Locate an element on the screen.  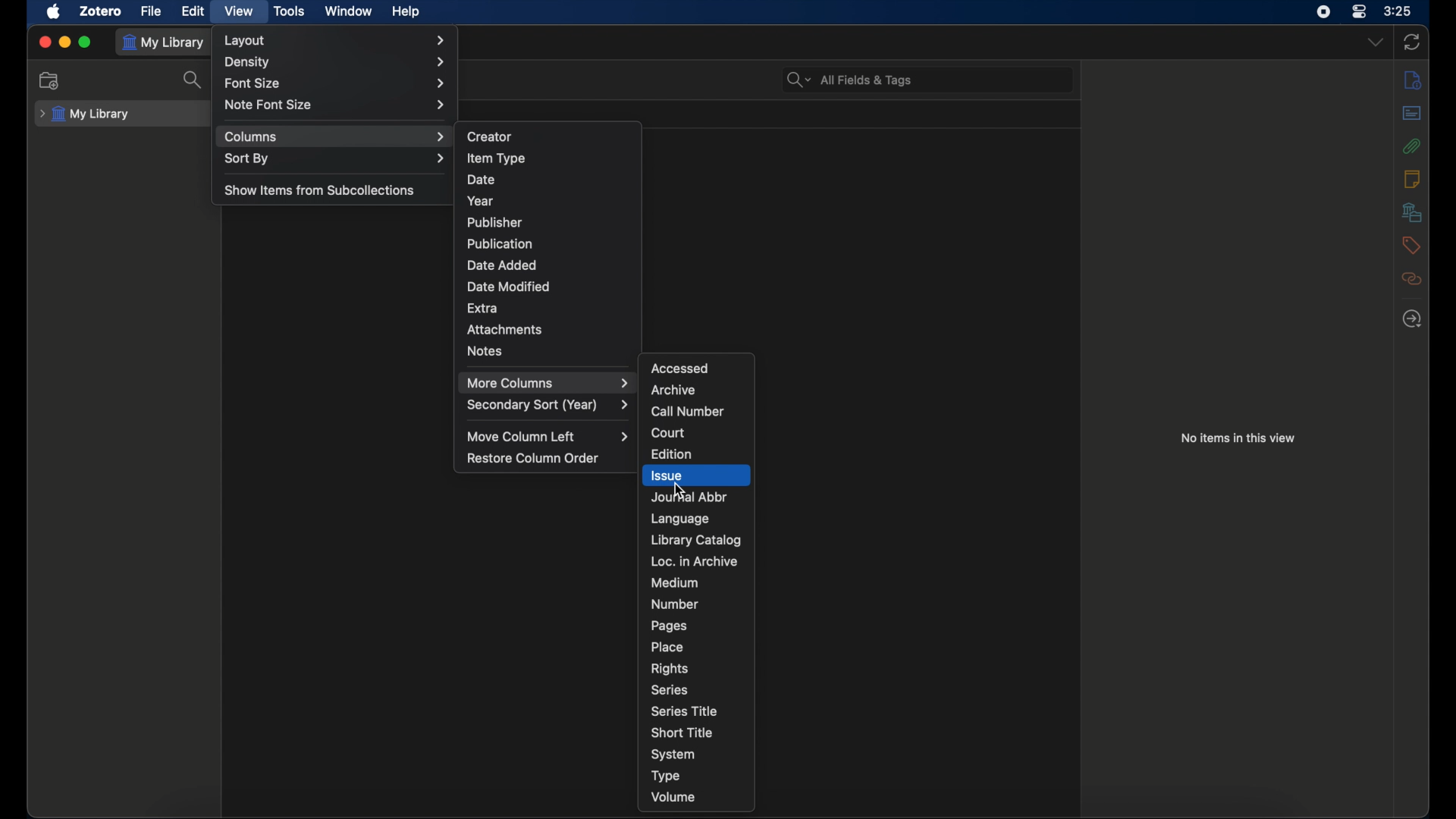
sort by is located at coordinates (336, 160).